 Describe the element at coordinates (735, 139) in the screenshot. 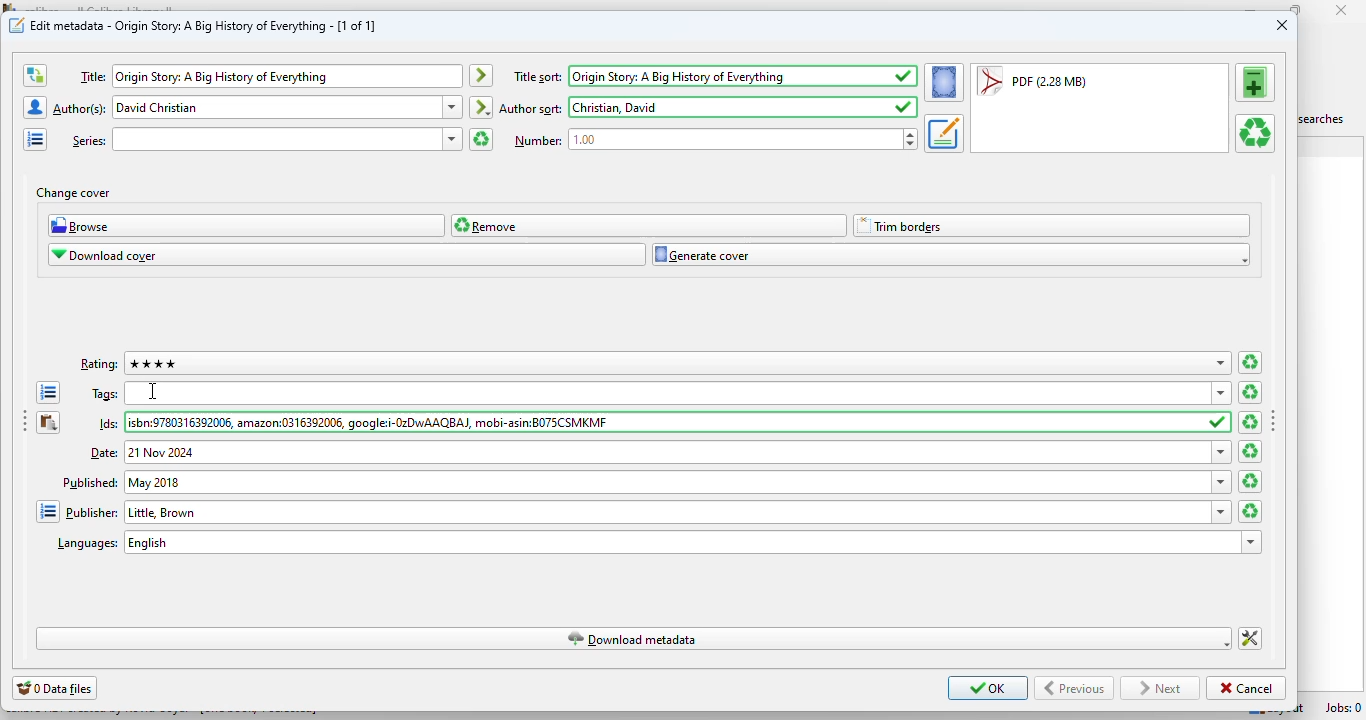

I see `Number: 1.00` at that location.